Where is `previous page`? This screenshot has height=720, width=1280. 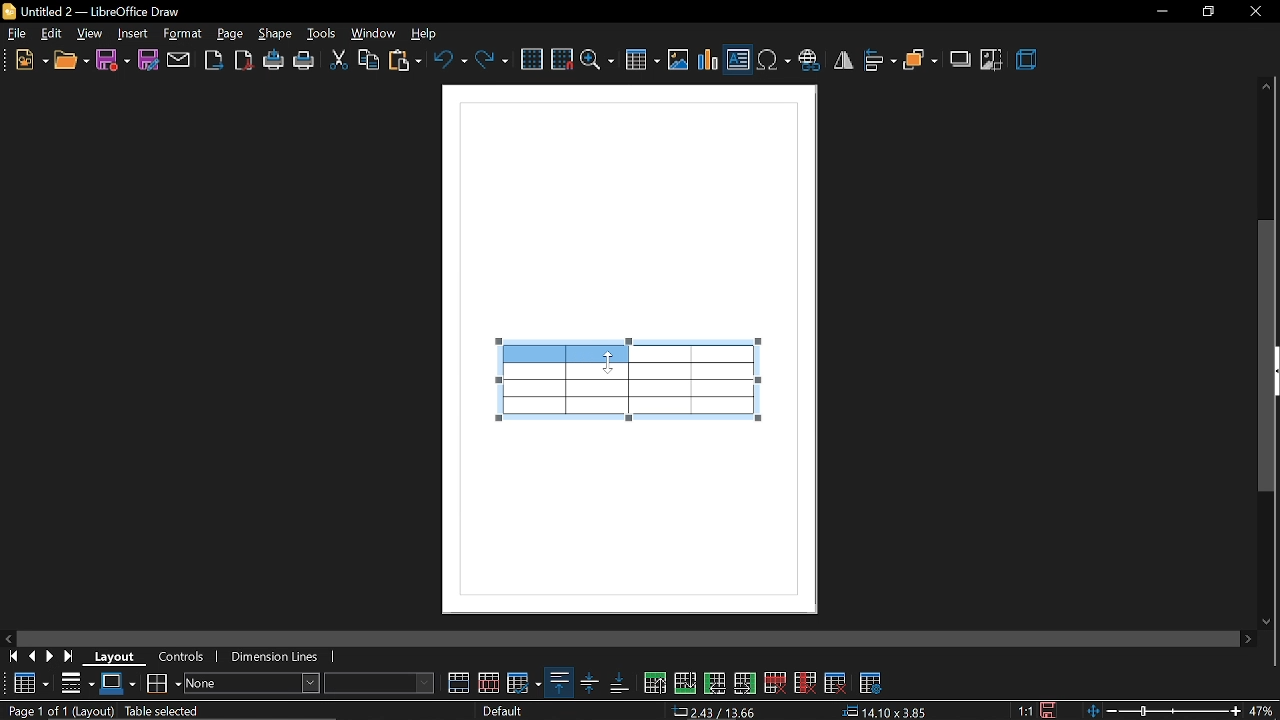 previous page is located at coordinates (32, 657).